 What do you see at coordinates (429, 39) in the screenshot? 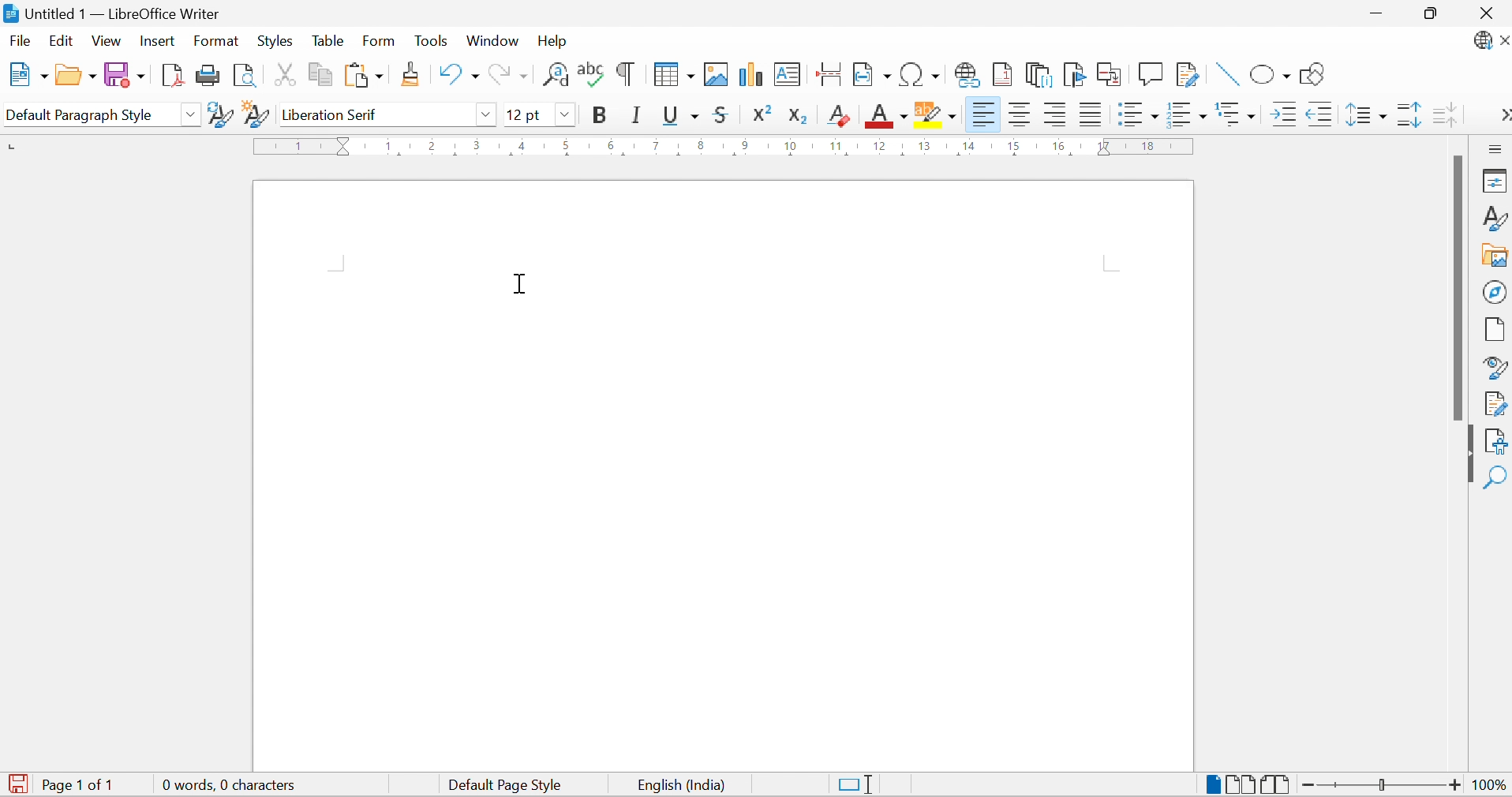
I see `Tools` at bounding box center [429, 39].